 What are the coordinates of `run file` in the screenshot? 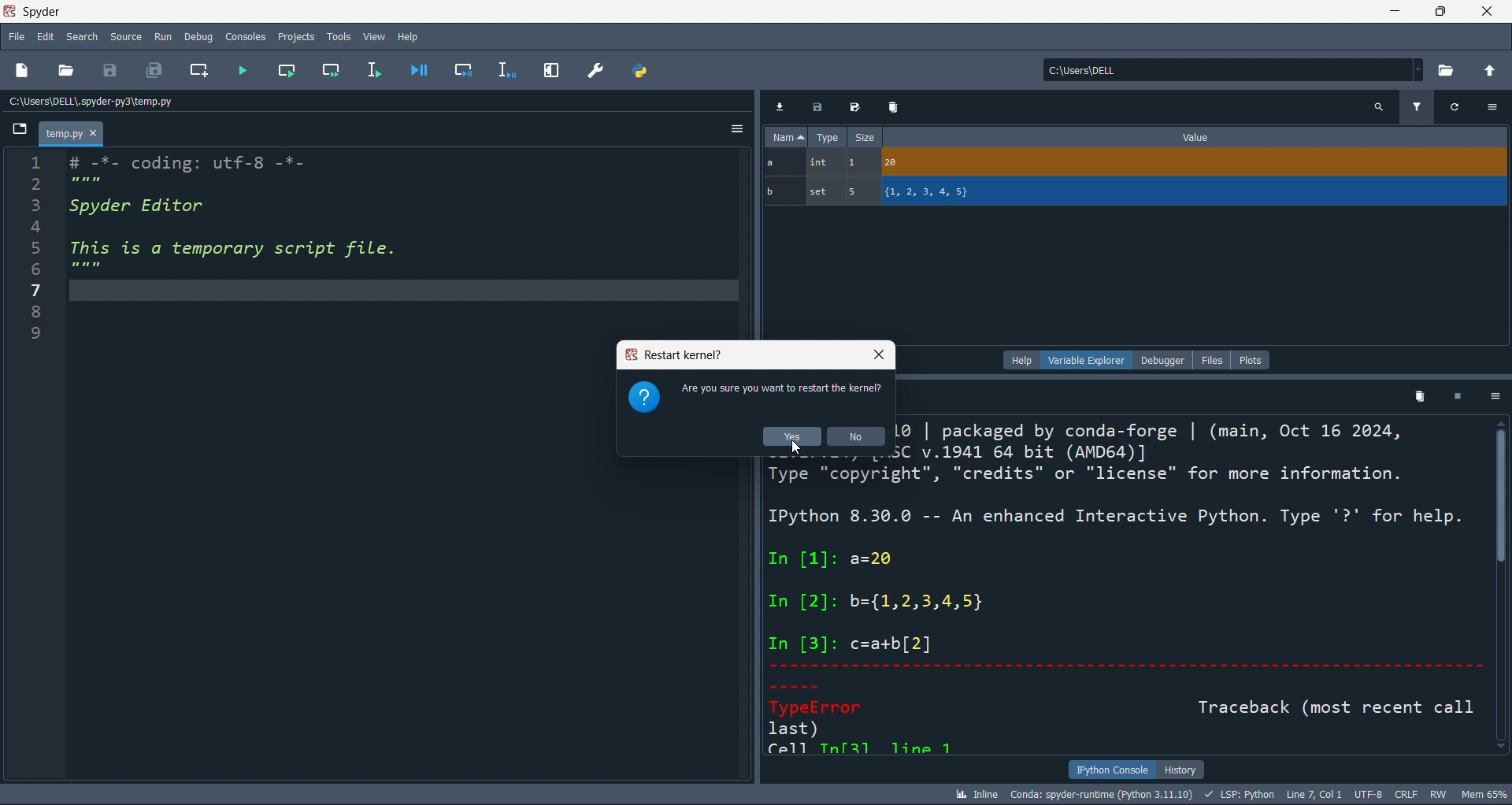 It's located at (238, 69).